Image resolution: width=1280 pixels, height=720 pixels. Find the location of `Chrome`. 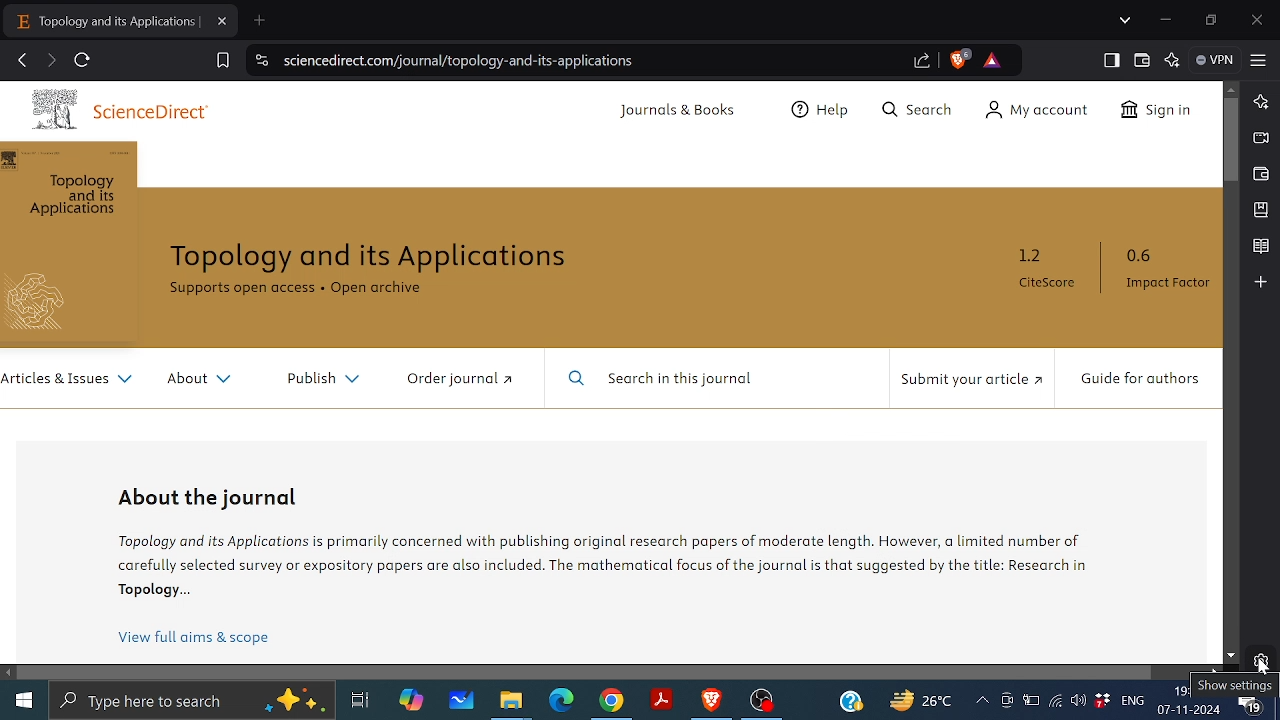

Chrome is located at coordinates (611, 701).